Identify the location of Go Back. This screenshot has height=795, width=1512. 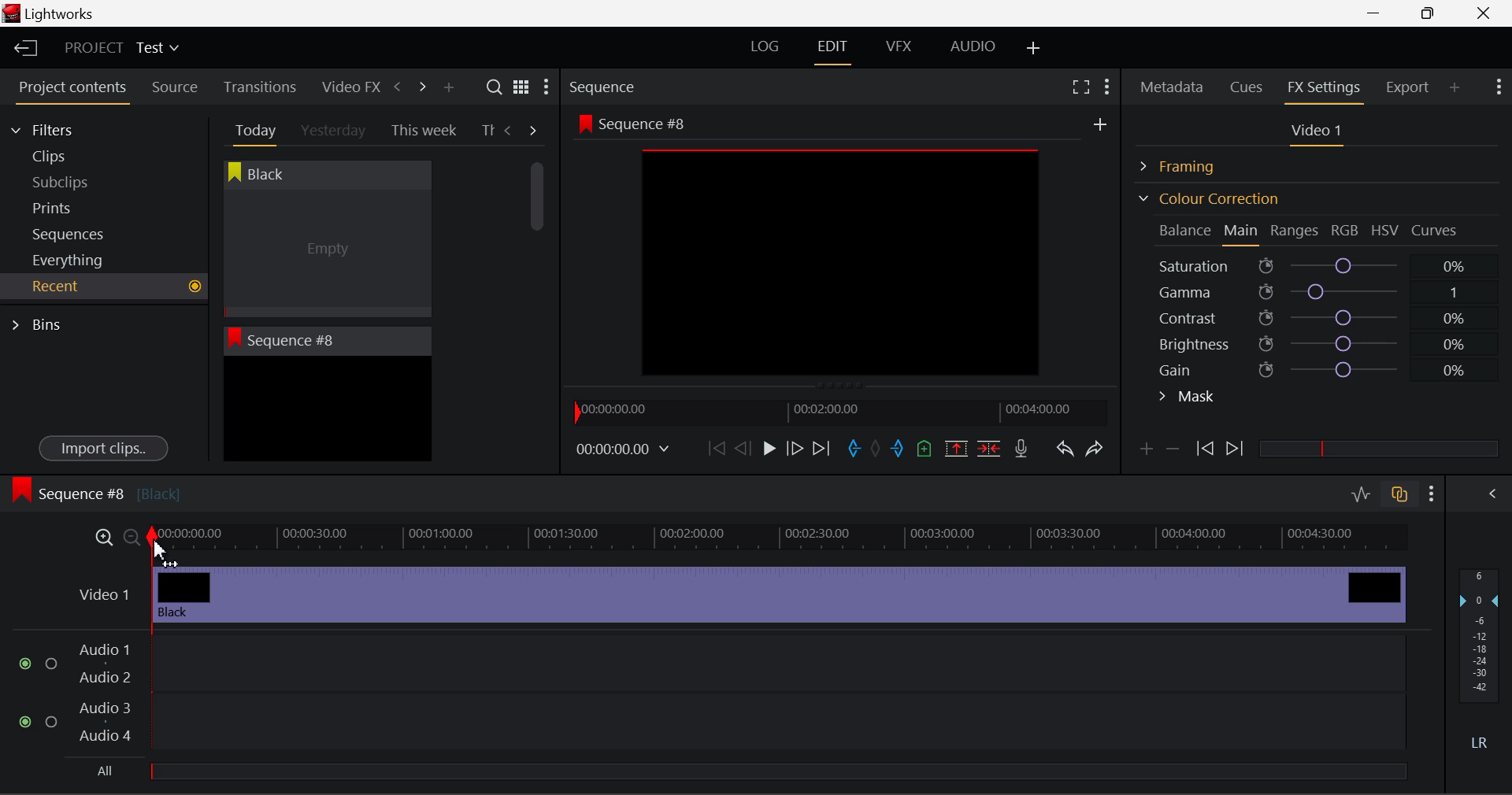
(745, 447).